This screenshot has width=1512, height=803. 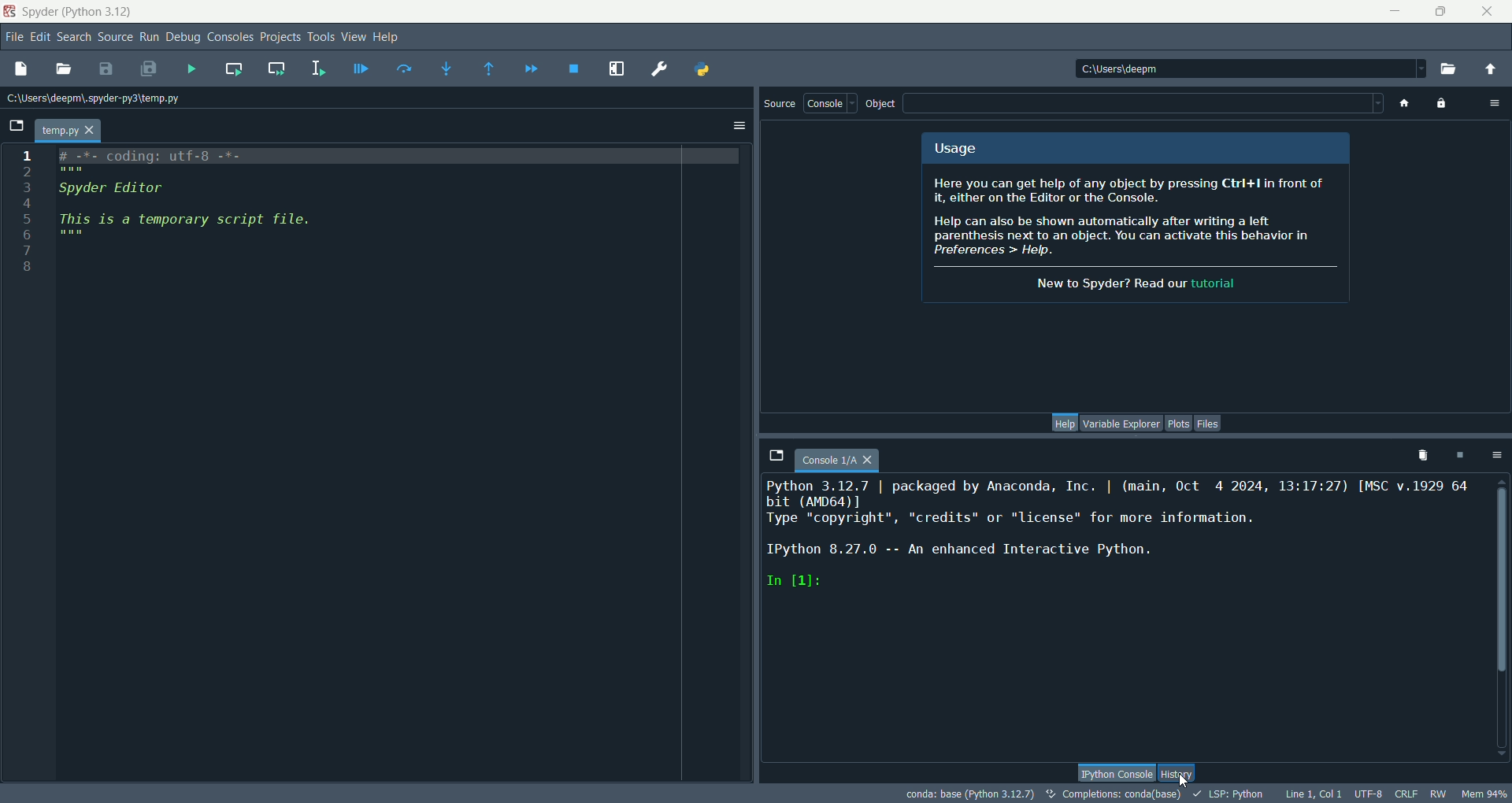 What do you see at coordinates (1495, 70) in the screenshot?
I see `change to parent directory` at bounding box center [1495, 70].